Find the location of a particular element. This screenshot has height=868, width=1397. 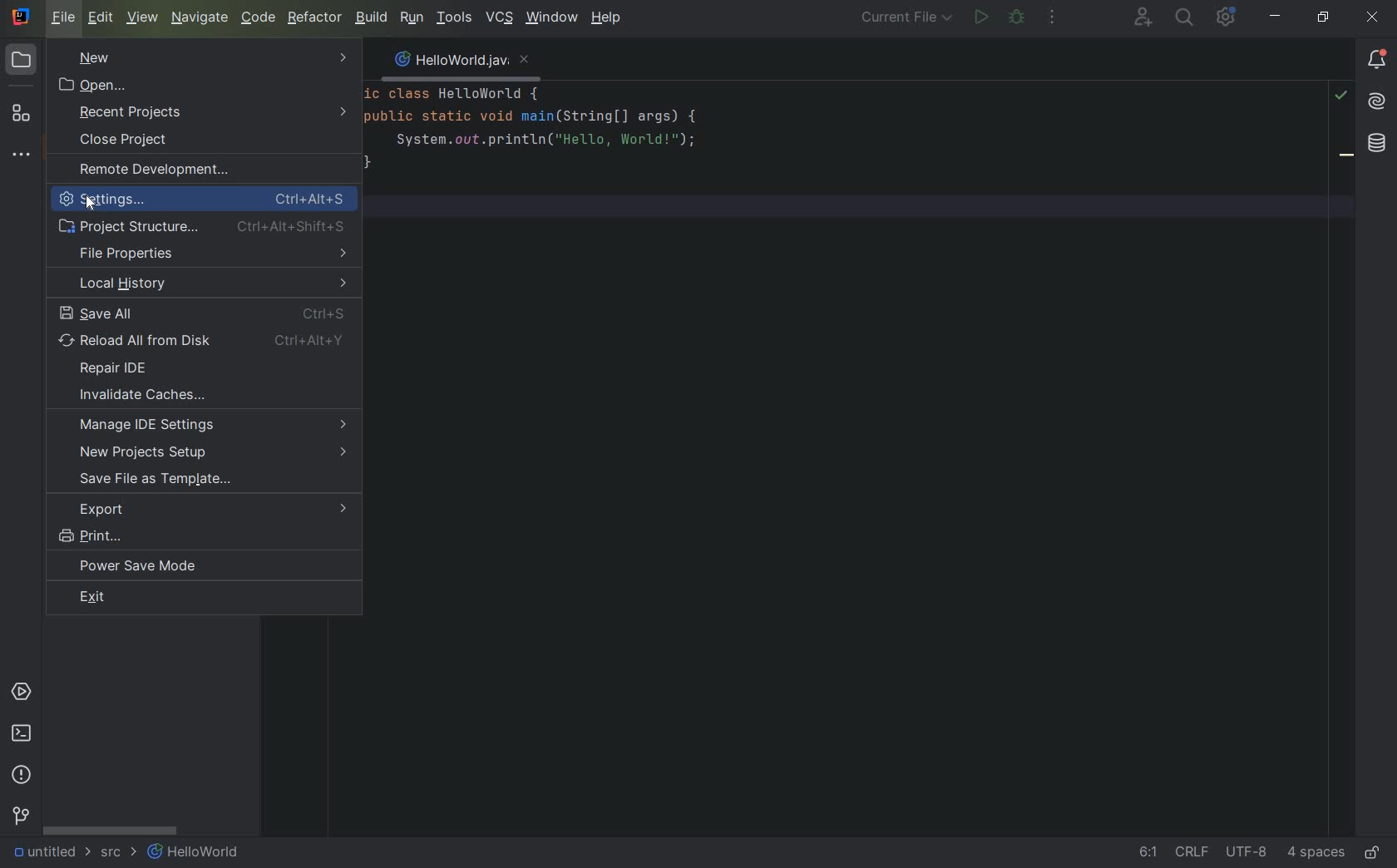

SRC is located at coordinates (117, 851).